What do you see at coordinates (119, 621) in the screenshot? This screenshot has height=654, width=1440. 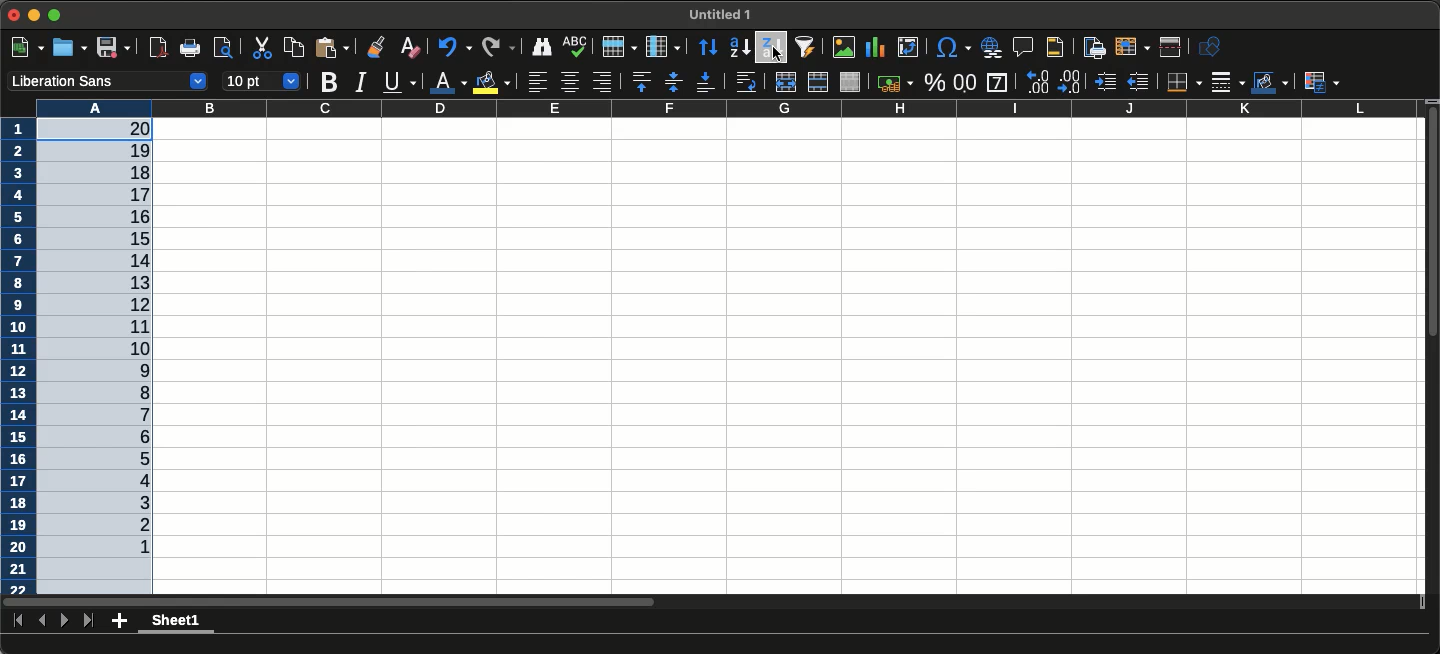 I see `Add new sheet` at bounding box center [119, 621].